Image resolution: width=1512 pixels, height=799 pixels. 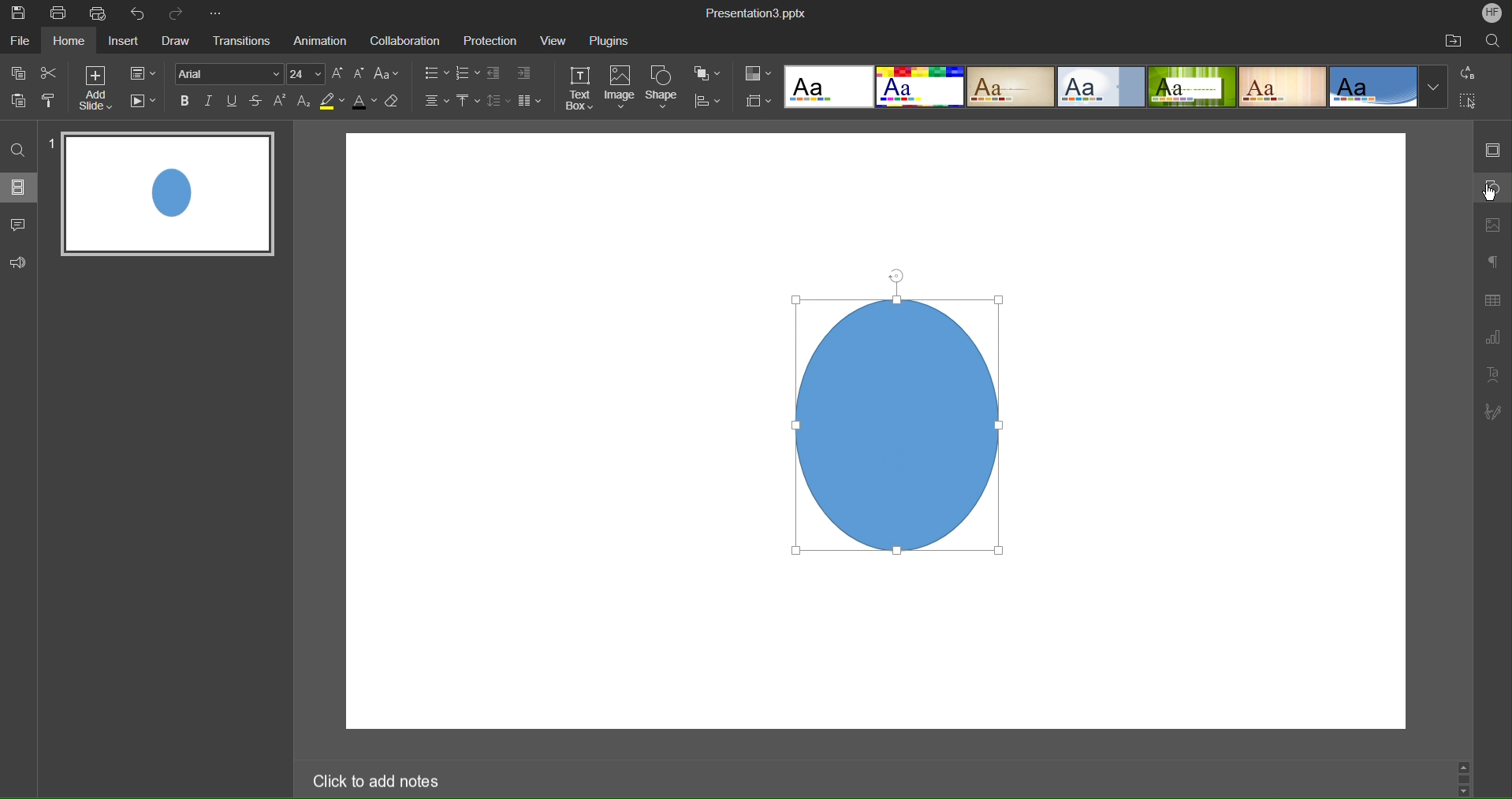 What do you see at coordinates (1451, 41) in the screenshot?
I see `Open File Location` at bounding box center [1451, 41].